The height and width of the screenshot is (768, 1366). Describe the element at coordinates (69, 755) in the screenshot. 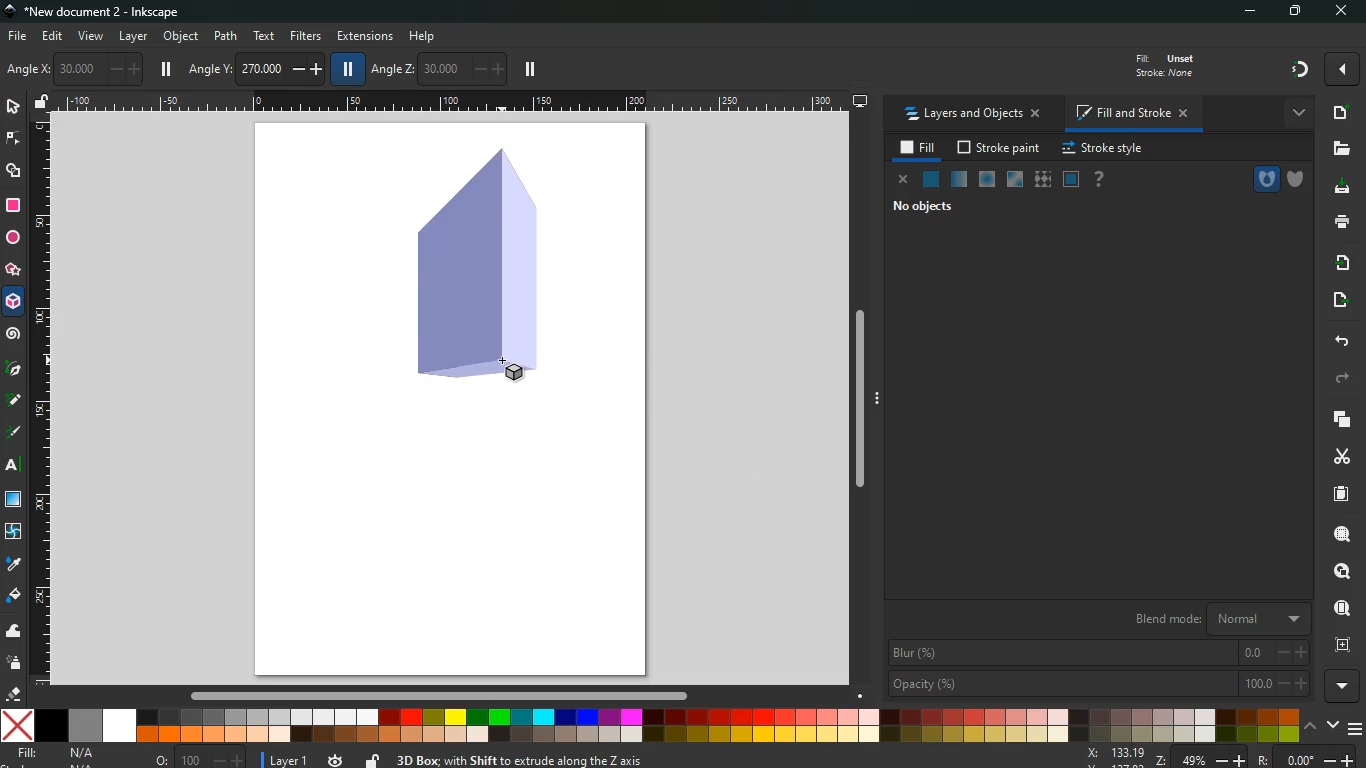

I see `fill` at that location.